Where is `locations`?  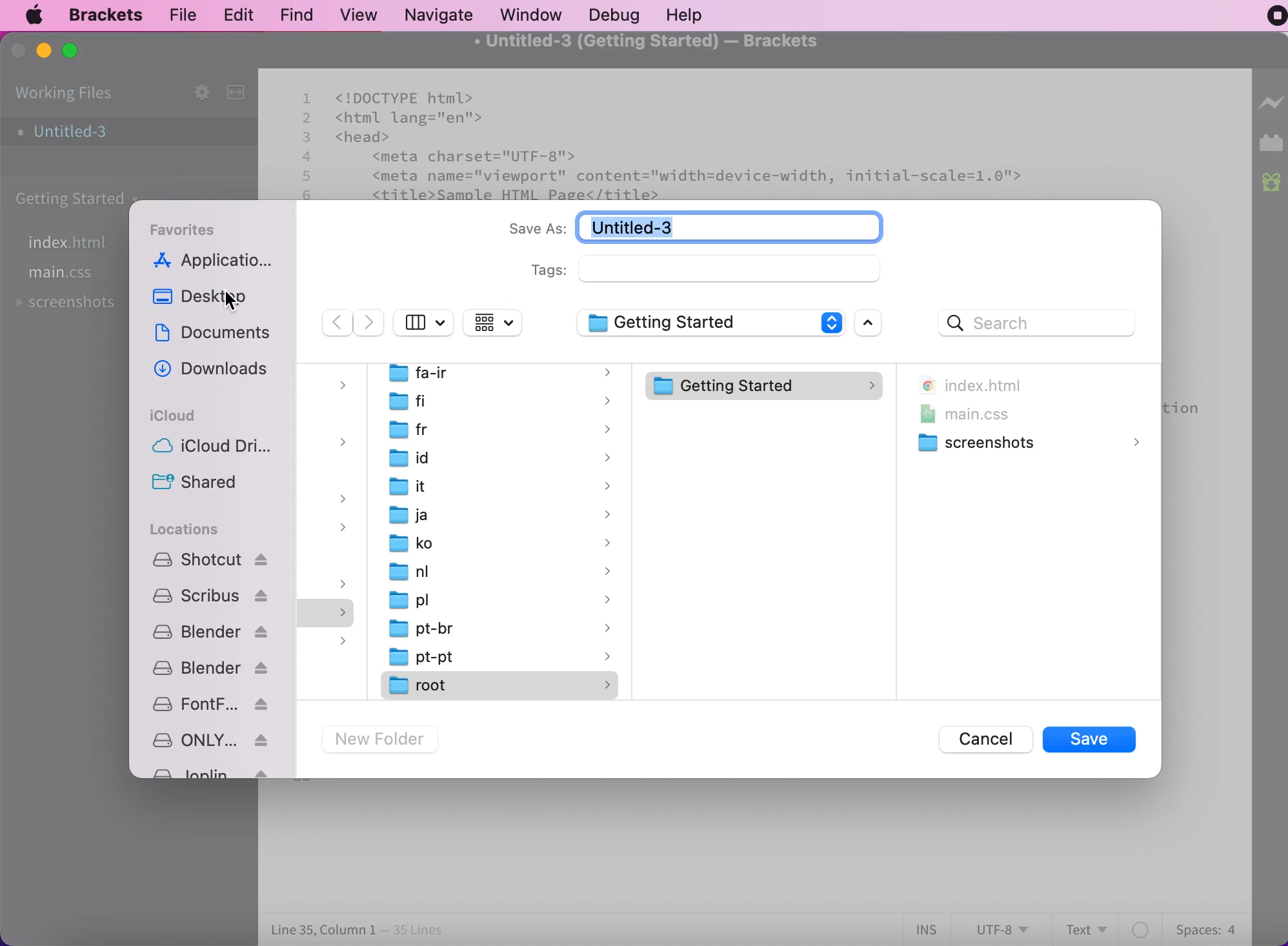 locations is located at coordinates (195, 532).